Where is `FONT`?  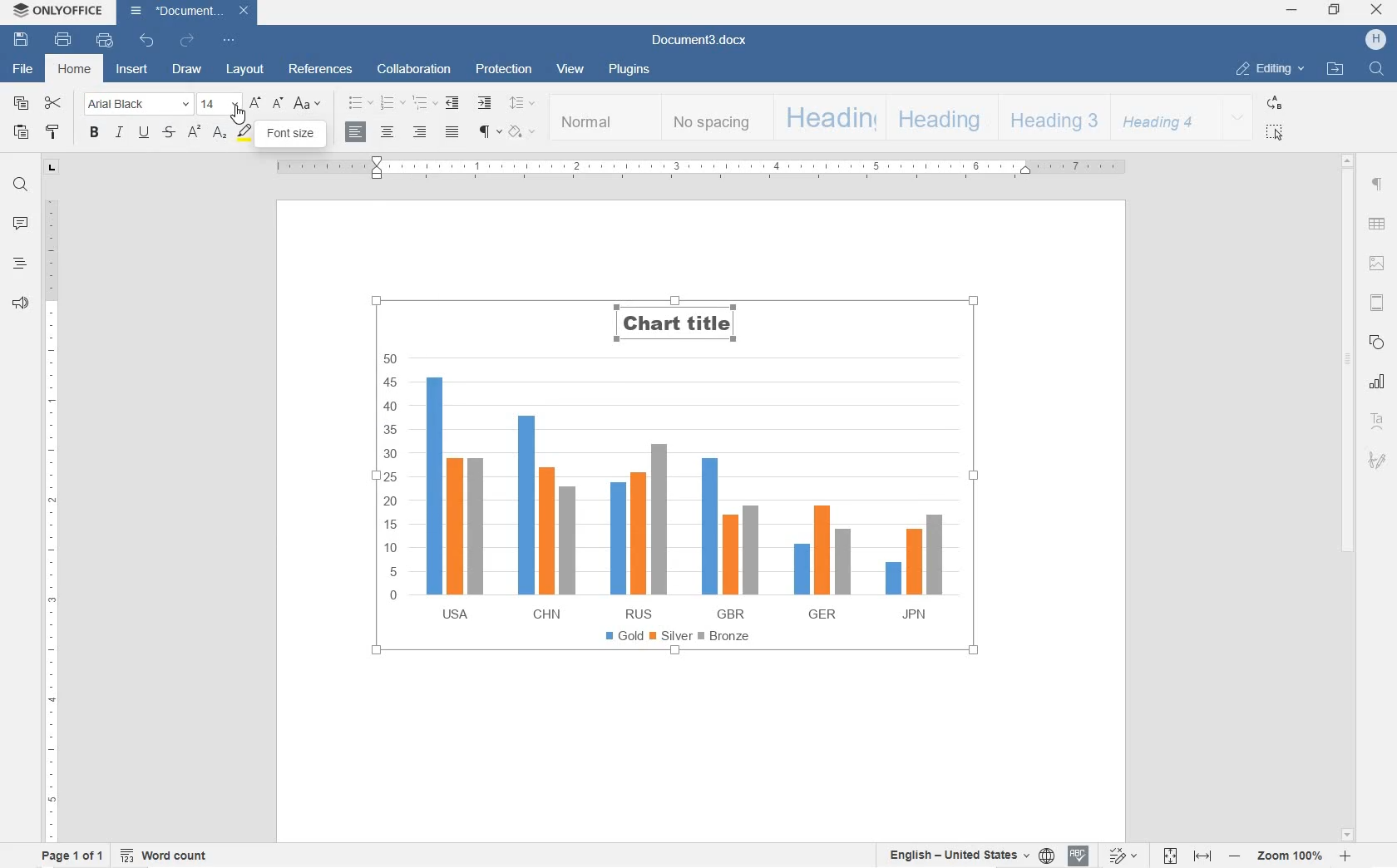 FONT is located at coordinates (230, 138).